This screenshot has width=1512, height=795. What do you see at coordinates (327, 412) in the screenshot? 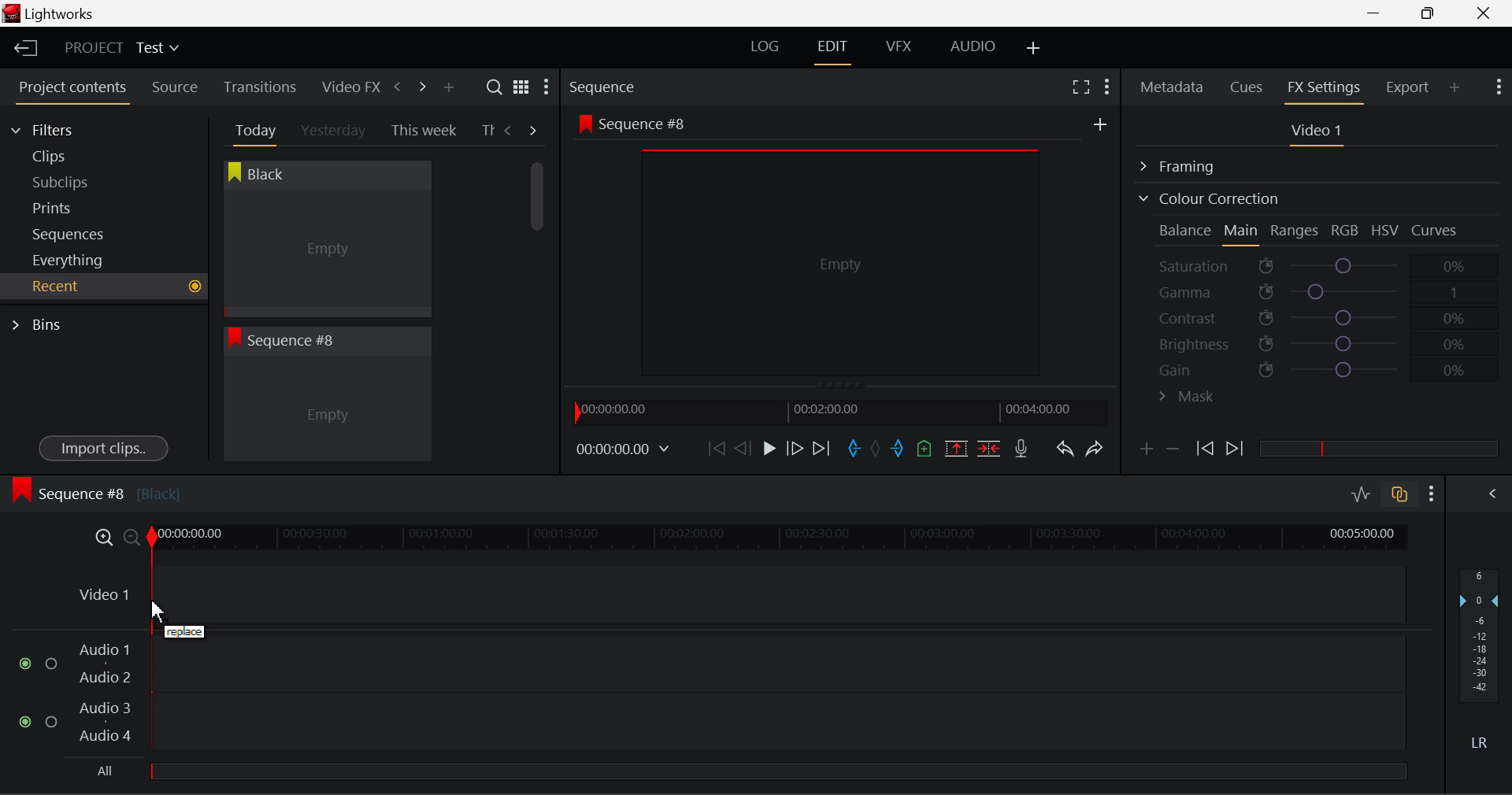
I see `Recent Clip` at bounding box center [327, 412].